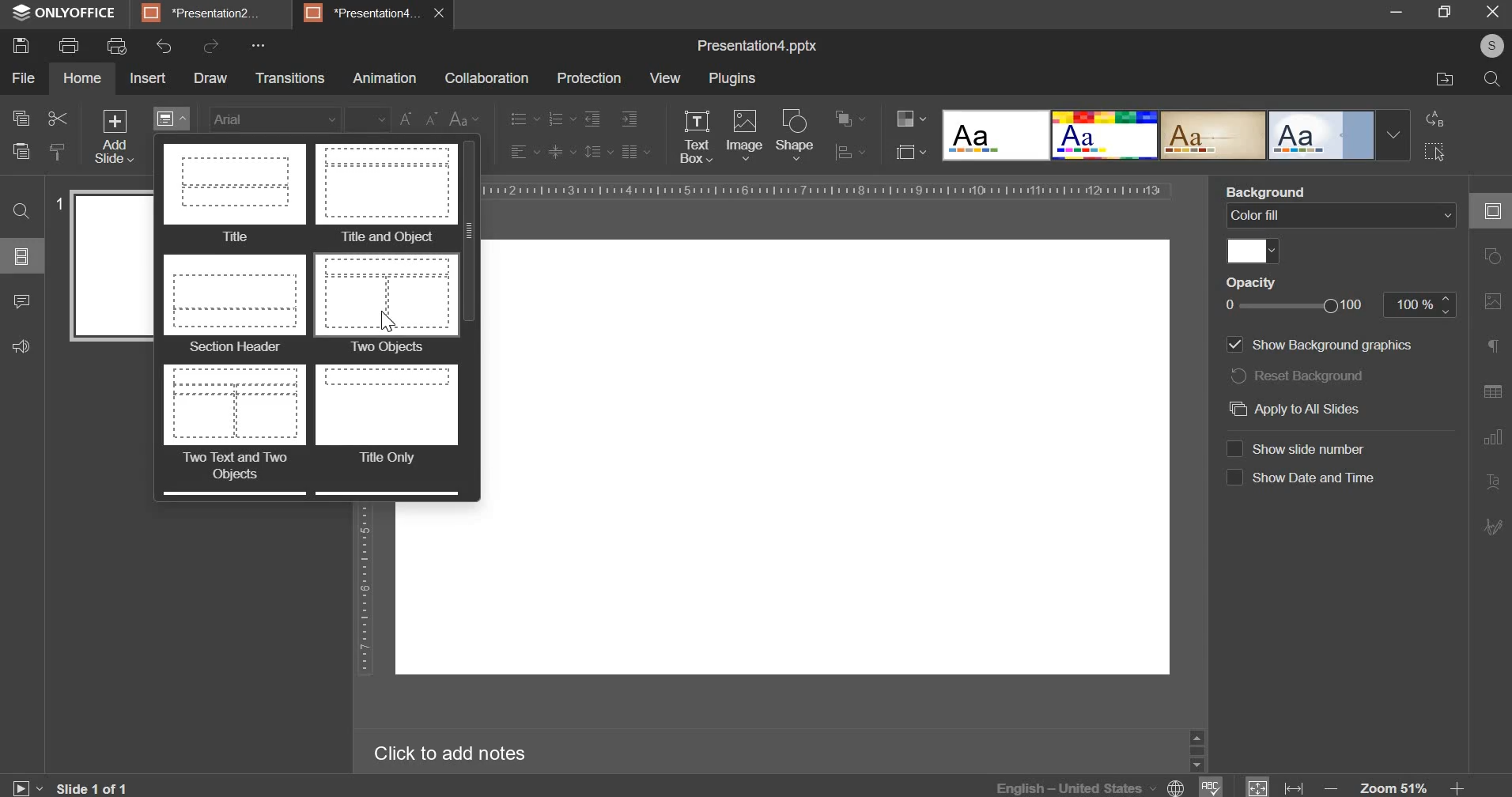 The image size is (1512, 797). Describe the element at coordinates (369, 119) in the screenshot. I see `font size` at that location.